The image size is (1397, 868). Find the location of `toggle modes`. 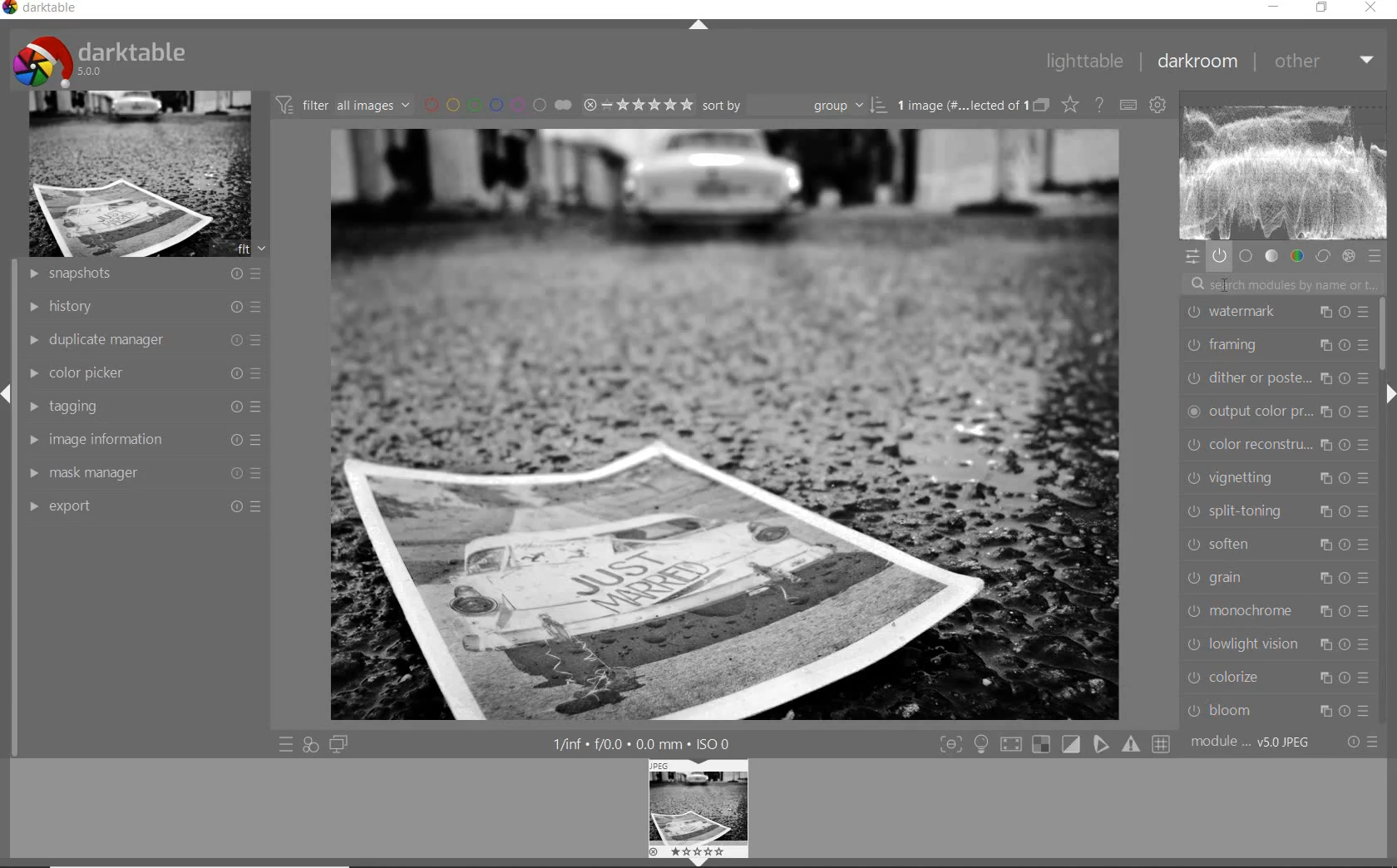

toggle modes is located at coordinates (1056, 742).